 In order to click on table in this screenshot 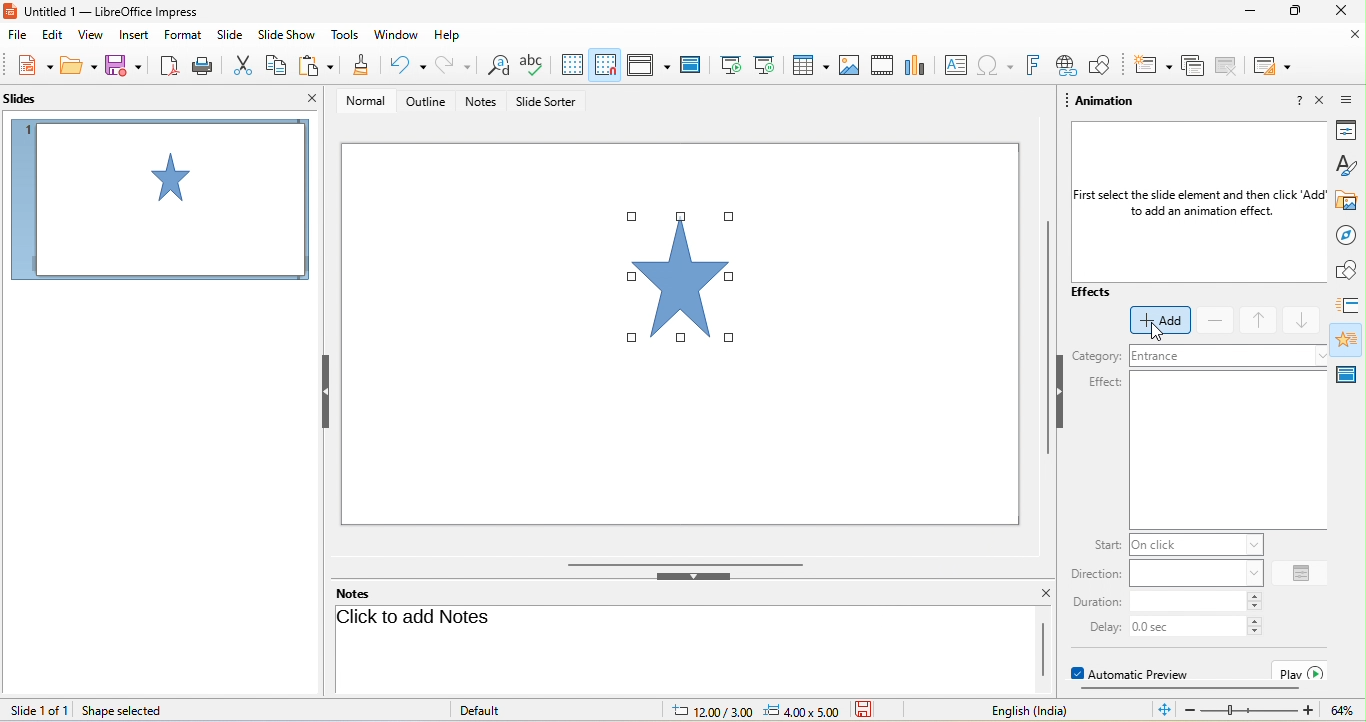, I will do `click(807, 64)`.